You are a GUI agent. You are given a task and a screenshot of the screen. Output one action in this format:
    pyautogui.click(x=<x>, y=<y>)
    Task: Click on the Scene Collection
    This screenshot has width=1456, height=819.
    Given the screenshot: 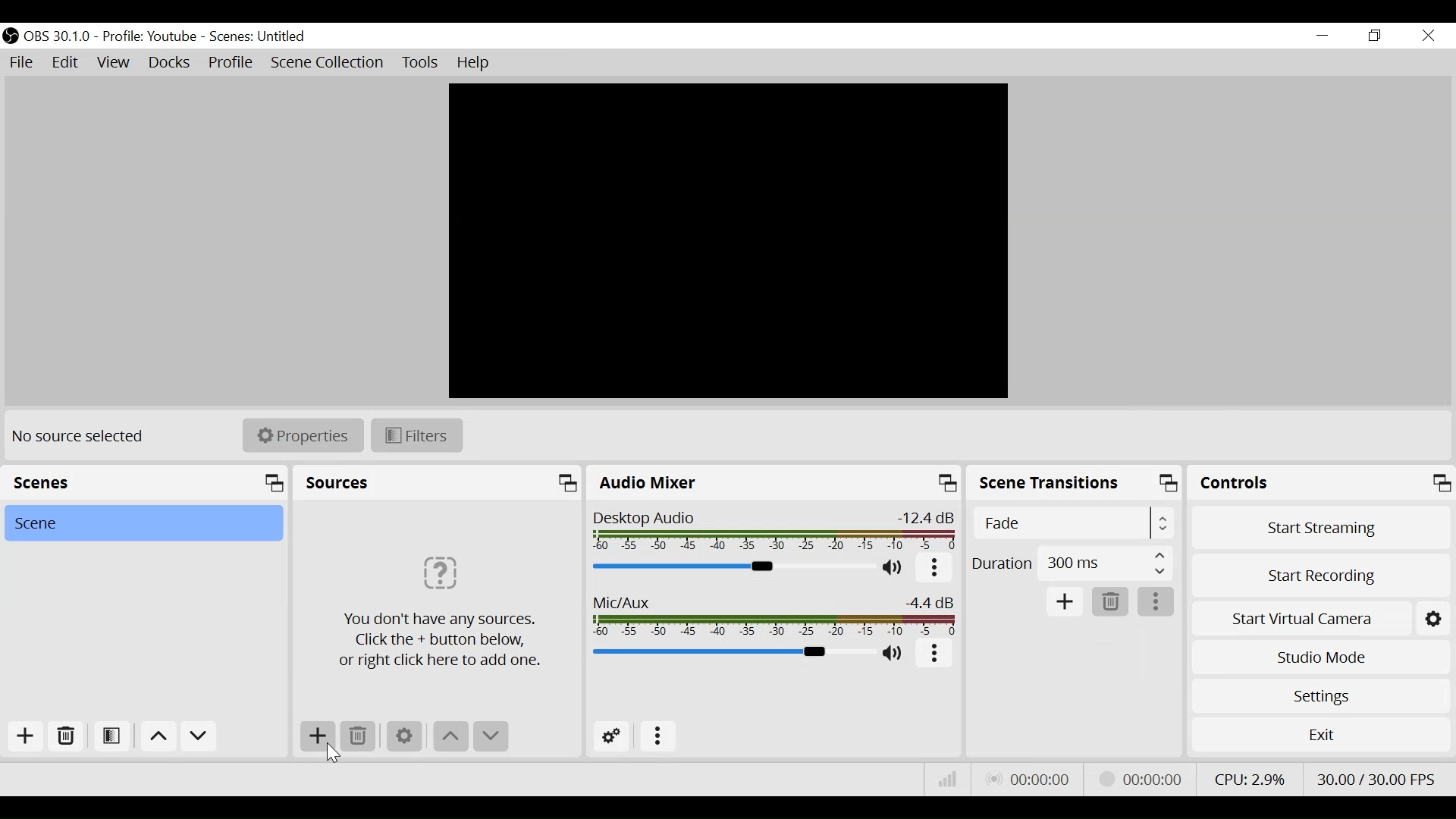 What is the action you would take?
    pyautogui.click(x=327, y=62)
    